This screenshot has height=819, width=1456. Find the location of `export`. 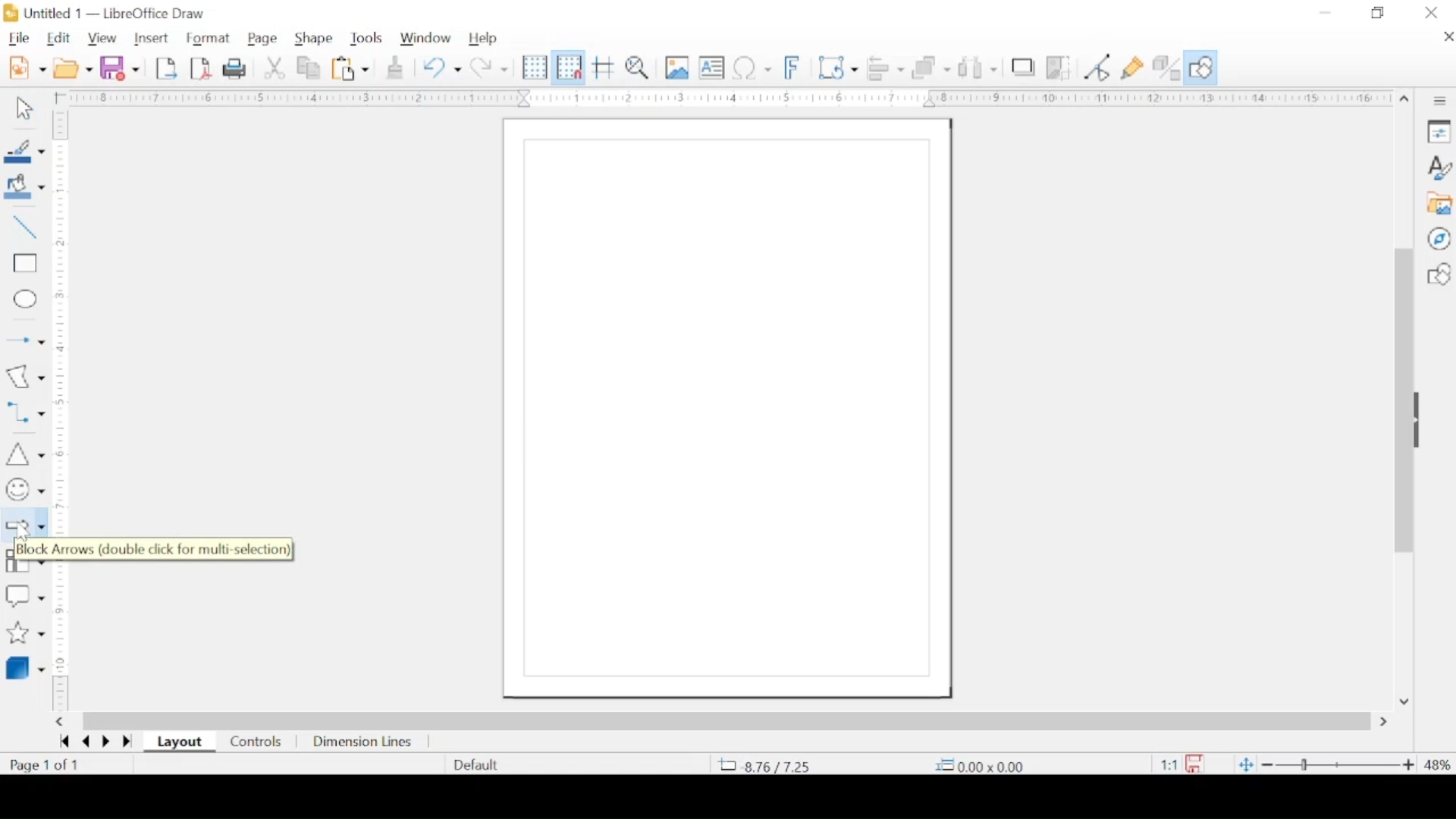

export is located at coordinates (166, 68).